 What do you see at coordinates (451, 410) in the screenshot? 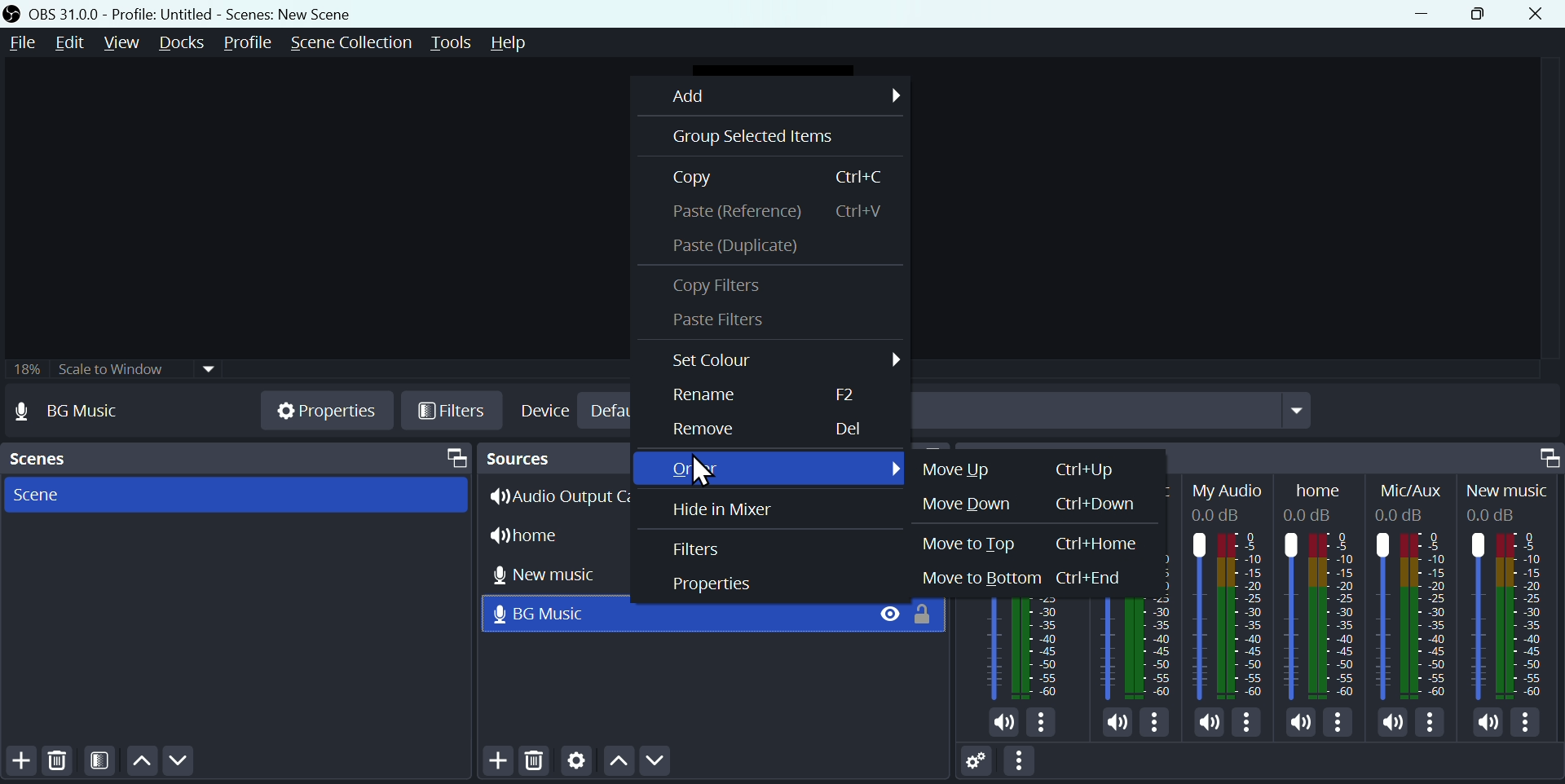
I see `Filter` at bounding box center [451, 410].